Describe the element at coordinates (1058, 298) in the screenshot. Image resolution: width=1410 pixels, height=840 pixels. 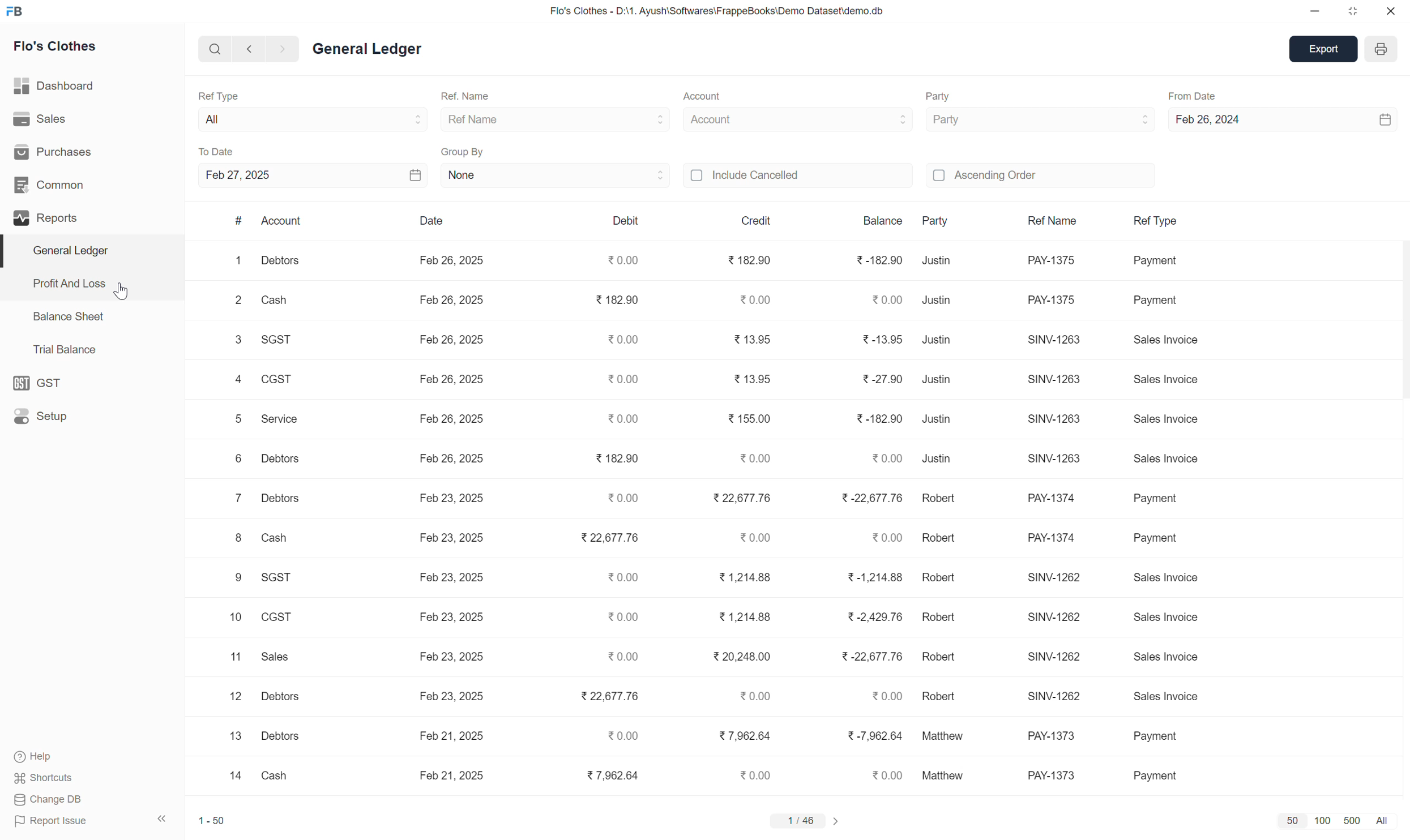
I see `PAY-1375` at that location.